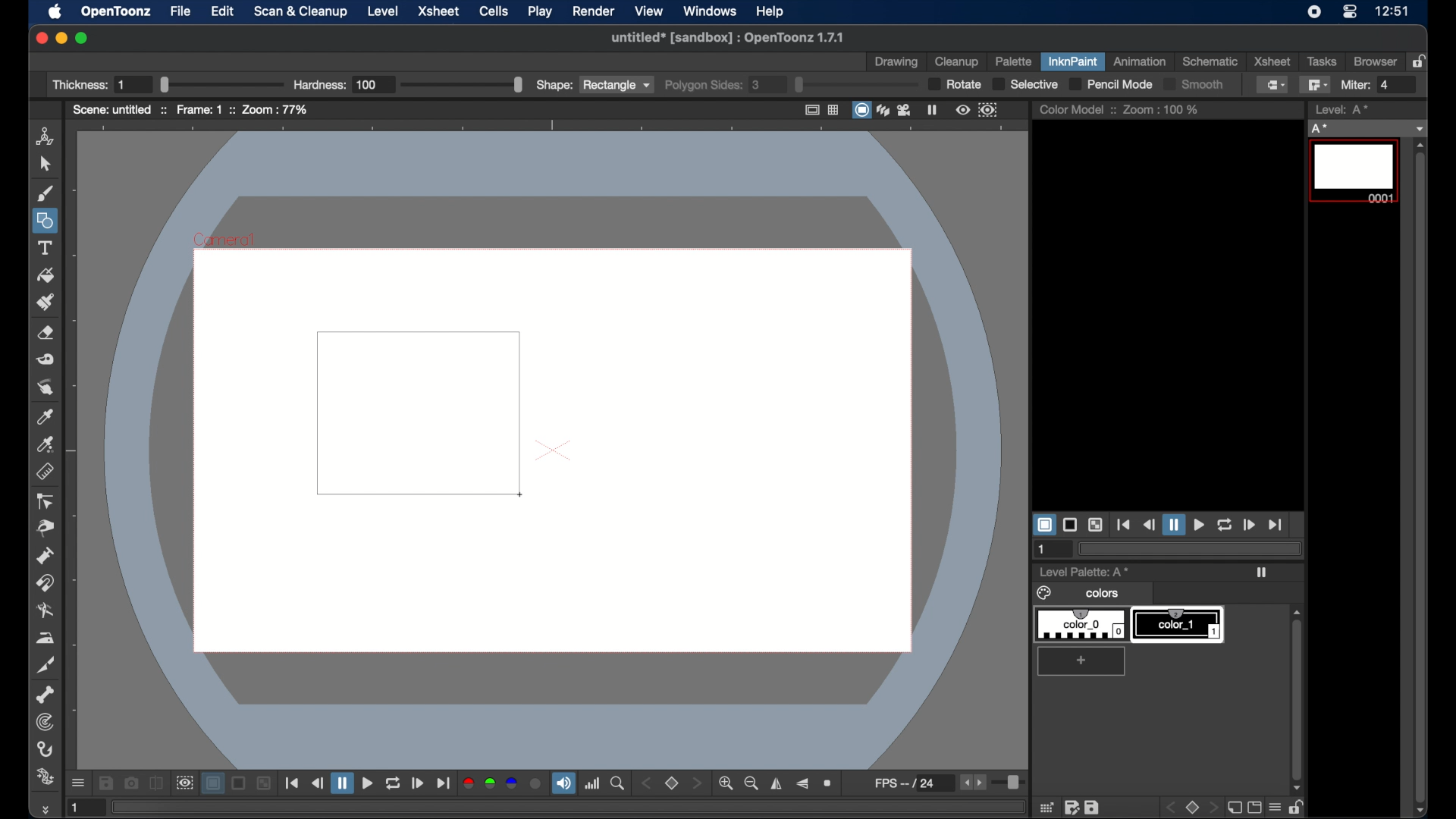  I want to click on scene: untitled, so click(119, 109).